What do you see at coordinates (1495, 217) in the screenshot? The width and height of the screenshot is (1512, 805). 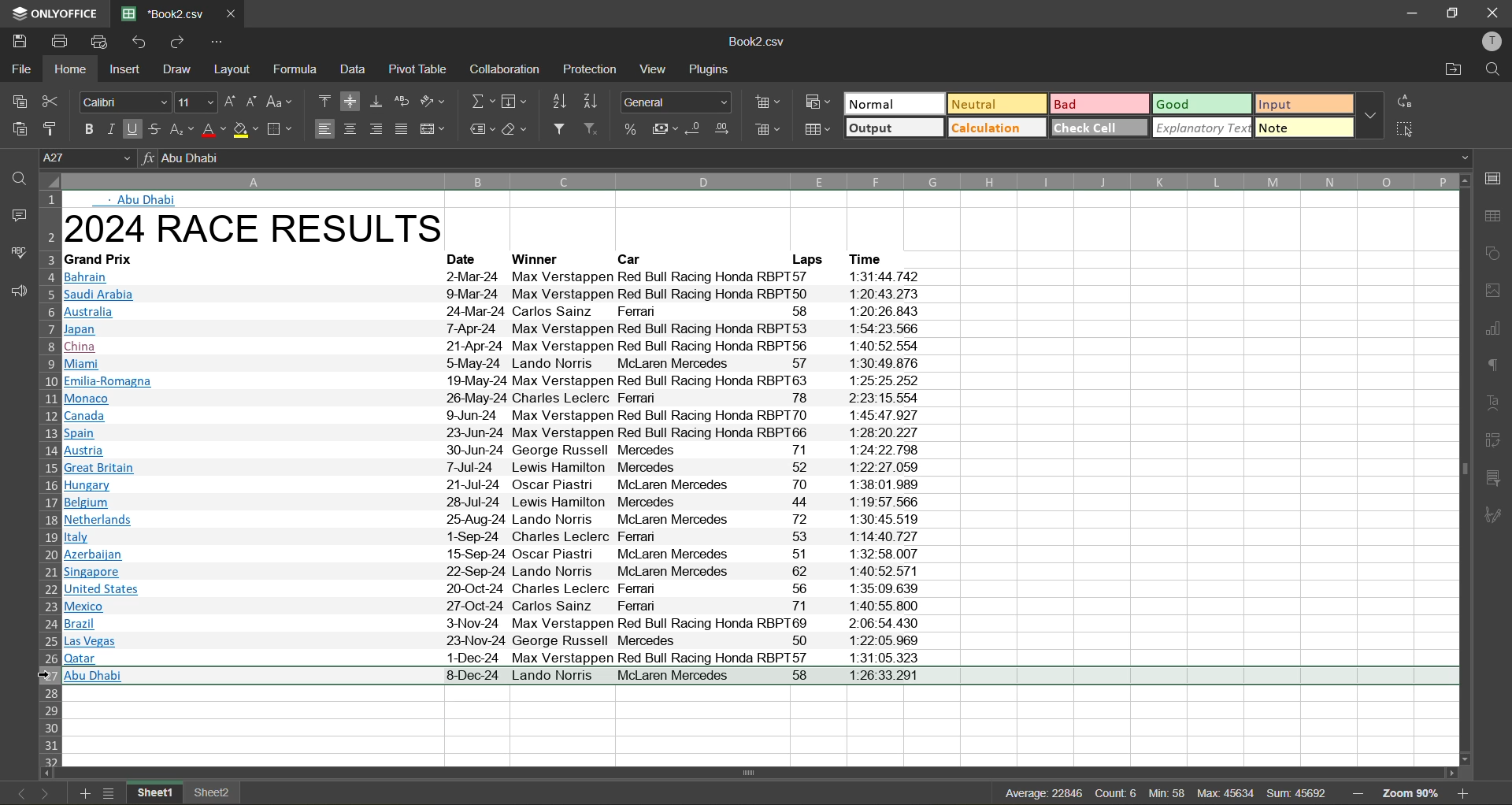 I see `table` at bounding box center [1495, 217].